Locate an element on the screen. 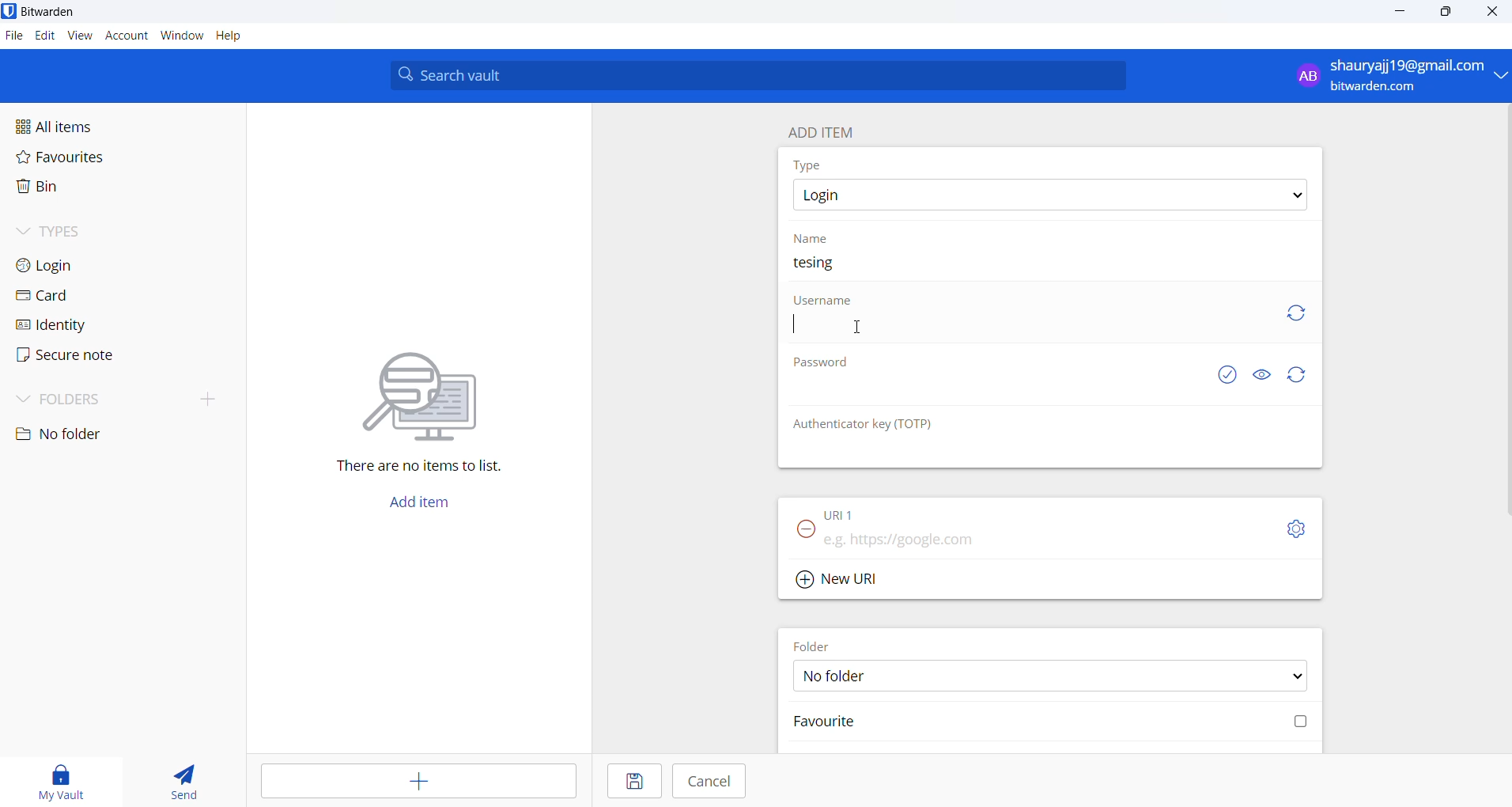 This screenshot has width=1512, height=807. identity is located at coordinates (89, 325).